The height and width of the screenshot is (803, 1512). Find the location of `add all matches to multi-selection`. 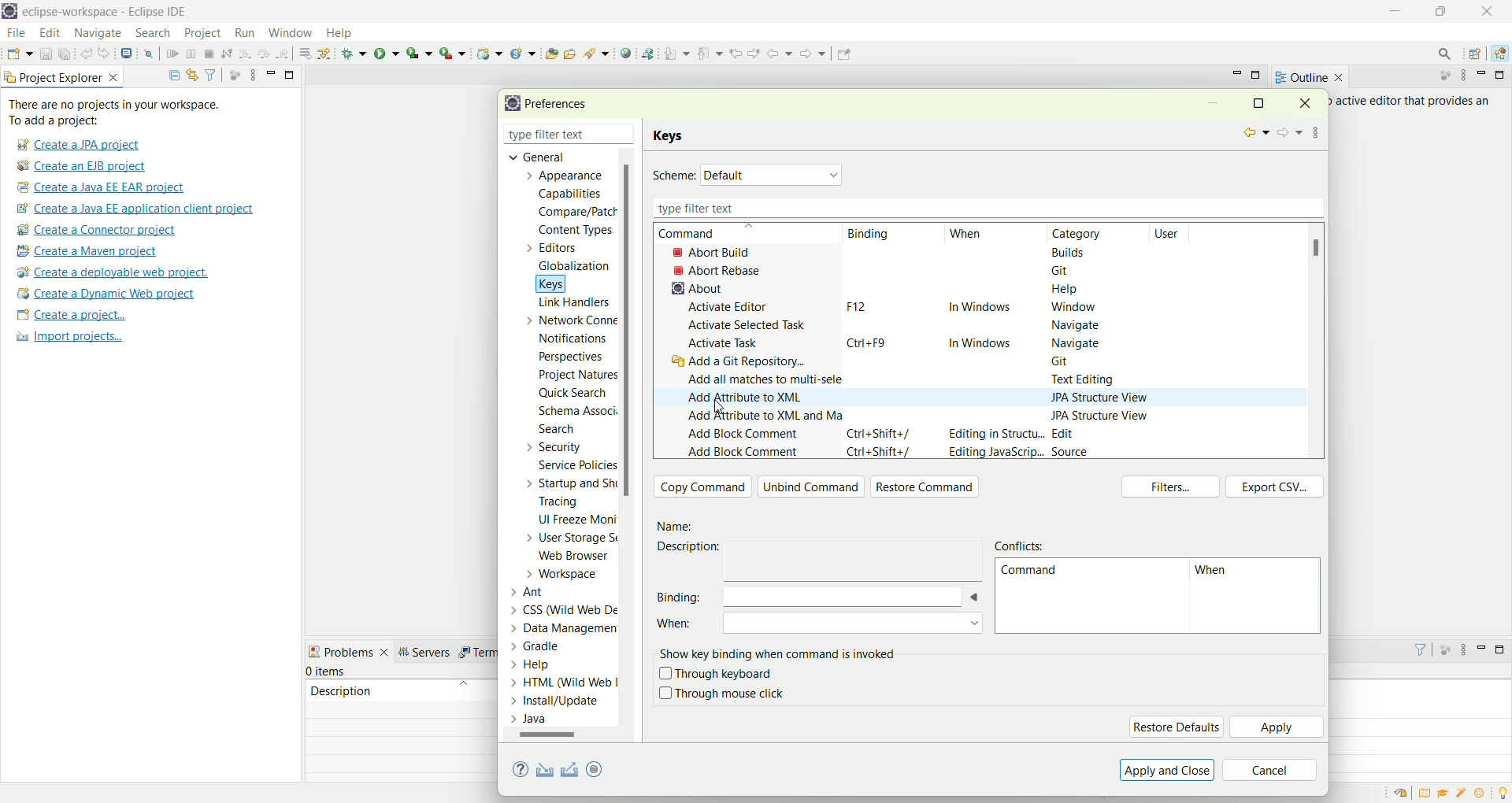

add all matches to multi-selection is located at coordinates (762, 378).